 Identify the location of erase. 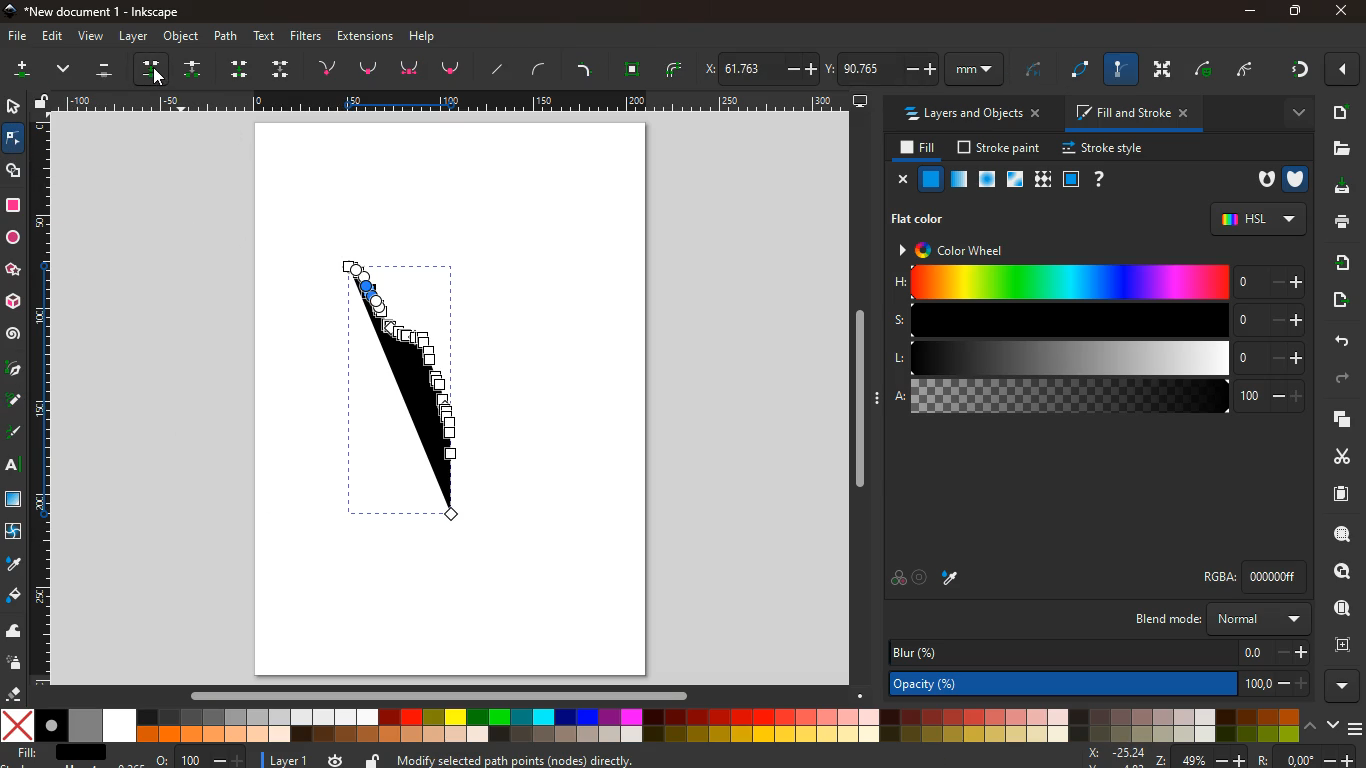
(14, 694).